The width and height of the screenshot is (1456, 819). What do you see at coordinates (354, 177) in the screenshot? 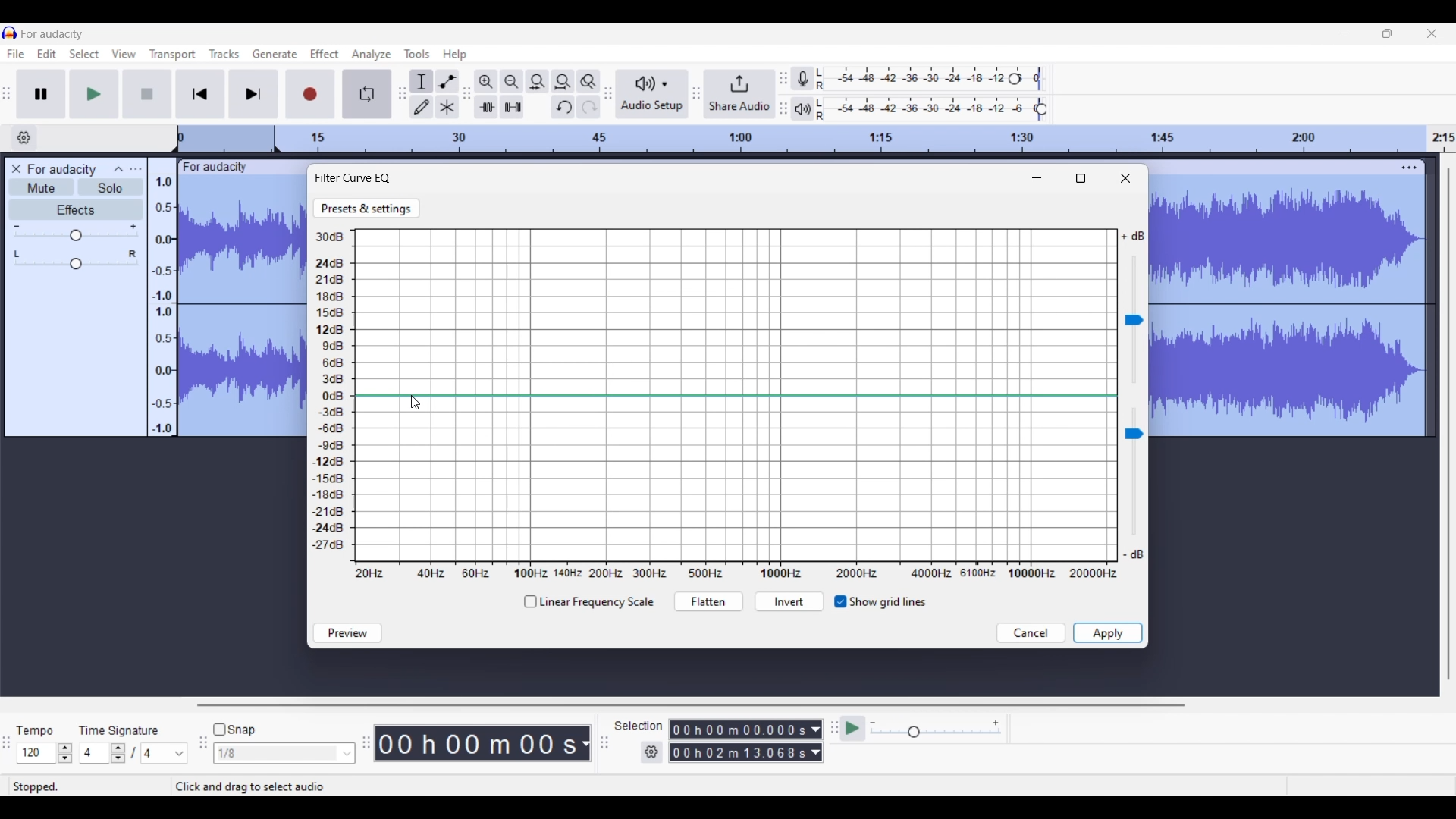
I see `Filter curve EQ` at bounding box center [354, 177].